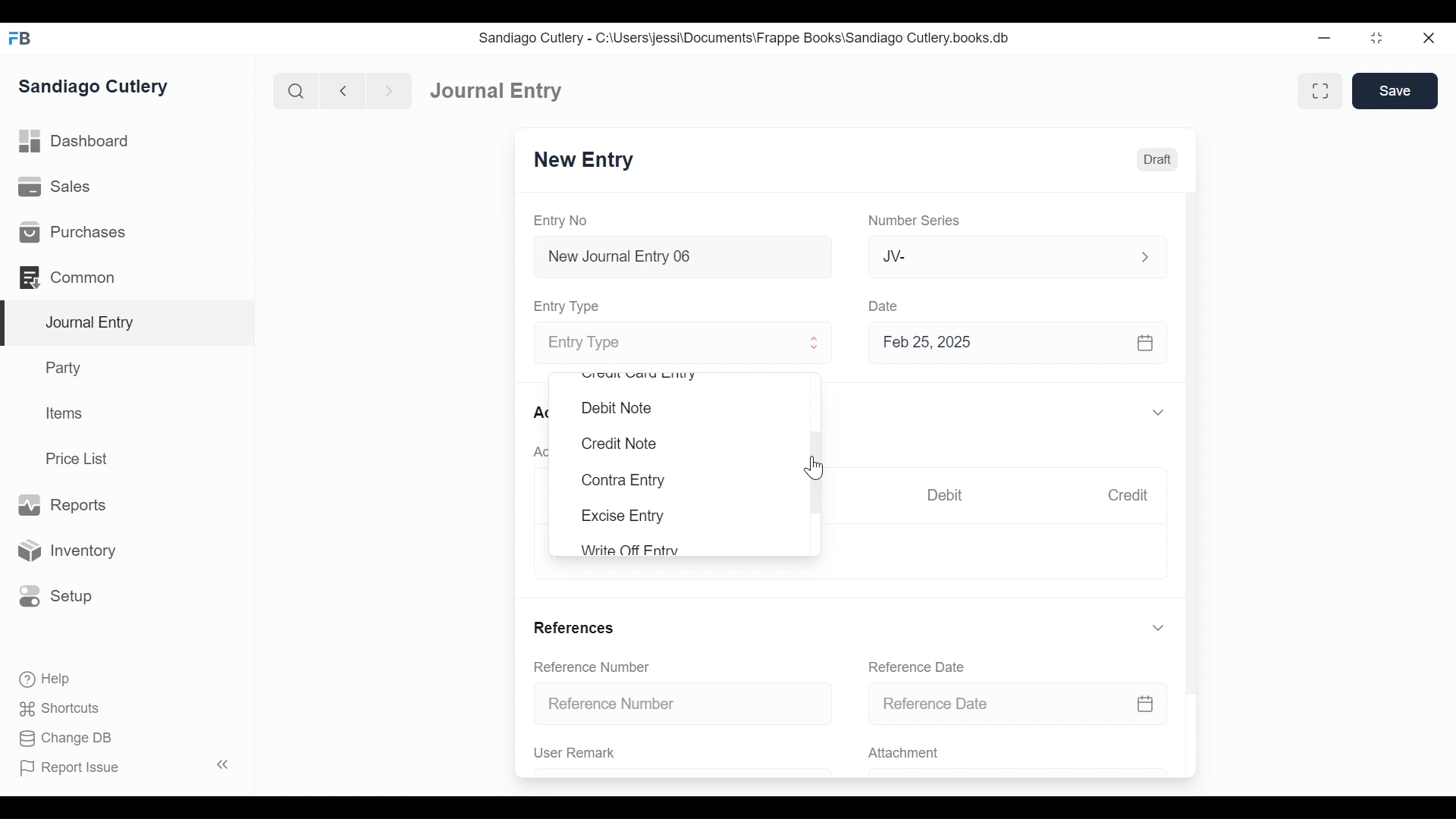  I want to click on Navigate back, so click(343, 93).